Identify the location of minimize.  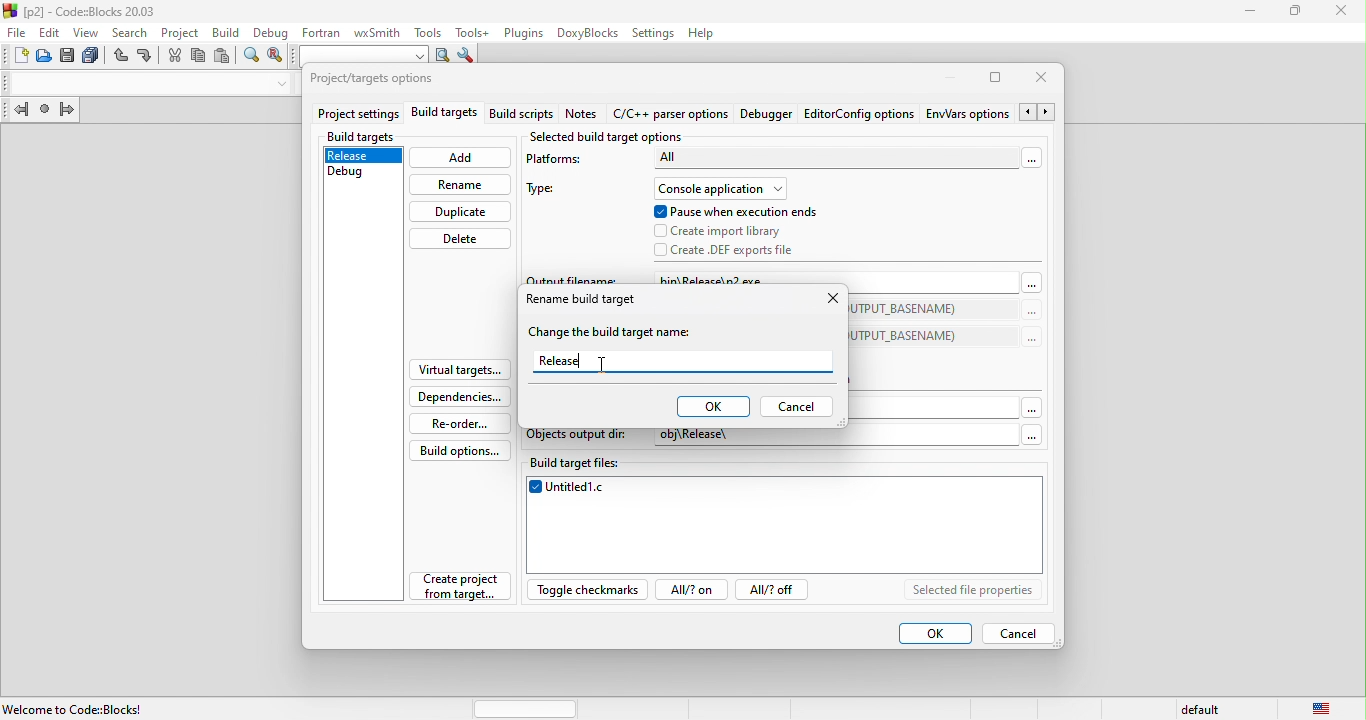
(944, 78).